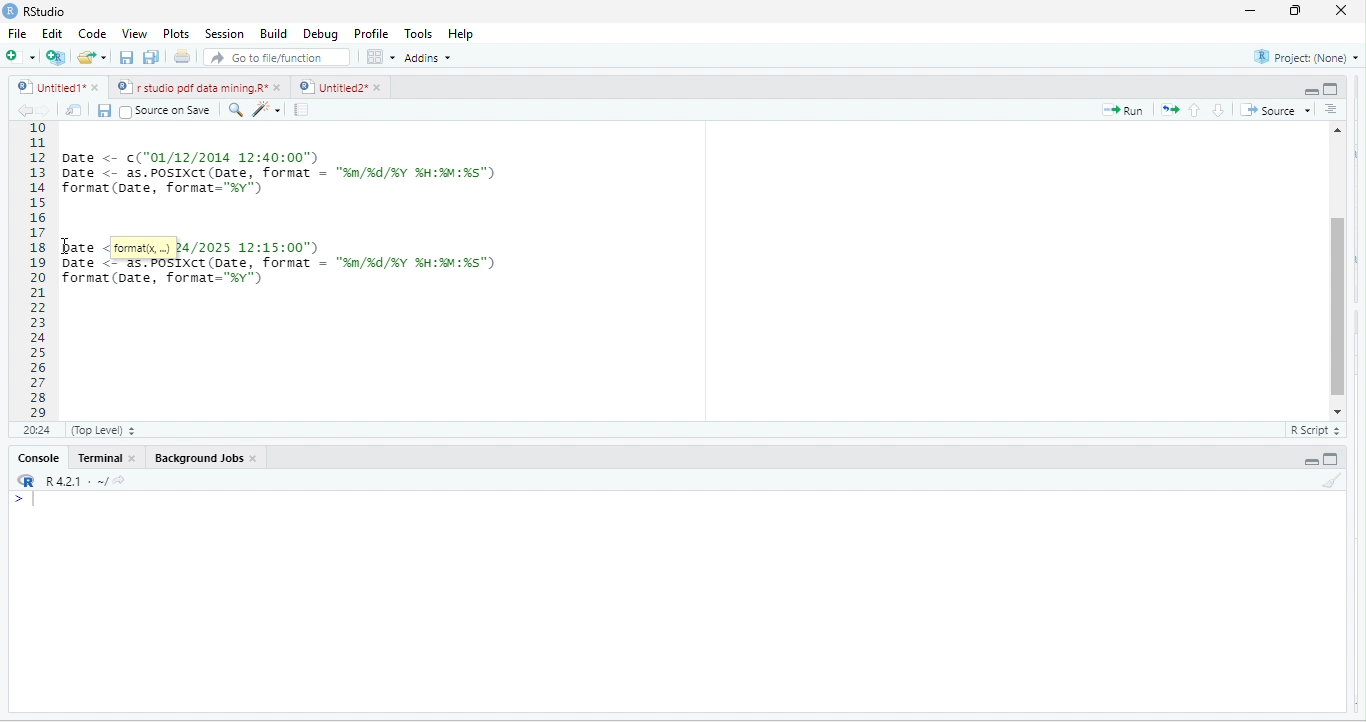 Image resolution: width=1366 pixels, height=722 pixels. Describe the element at coordinates (427, 58) in the screenshot. I see `addins` at that location.